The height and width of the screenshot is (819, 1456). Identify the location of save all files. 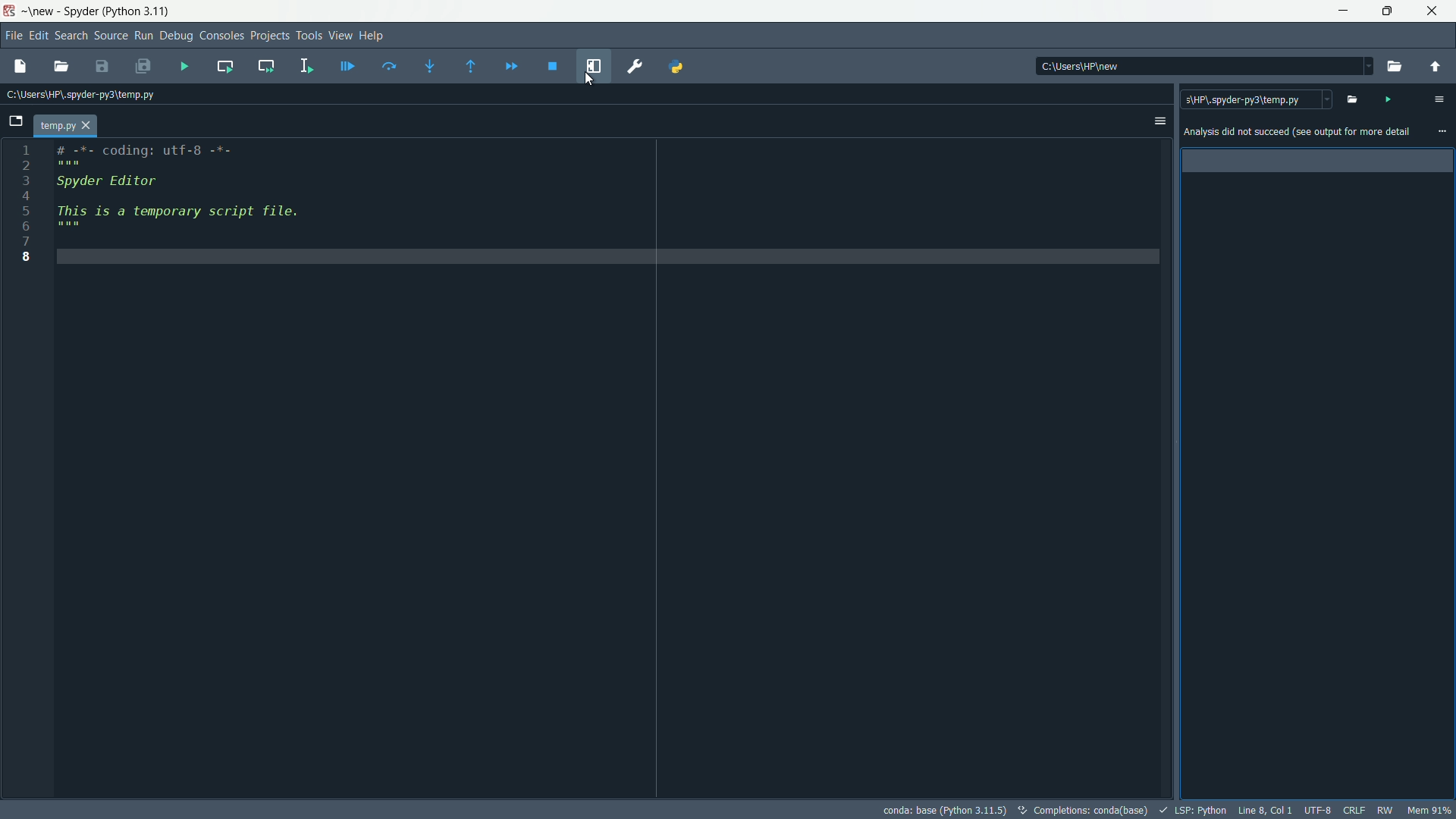
(143, 67).